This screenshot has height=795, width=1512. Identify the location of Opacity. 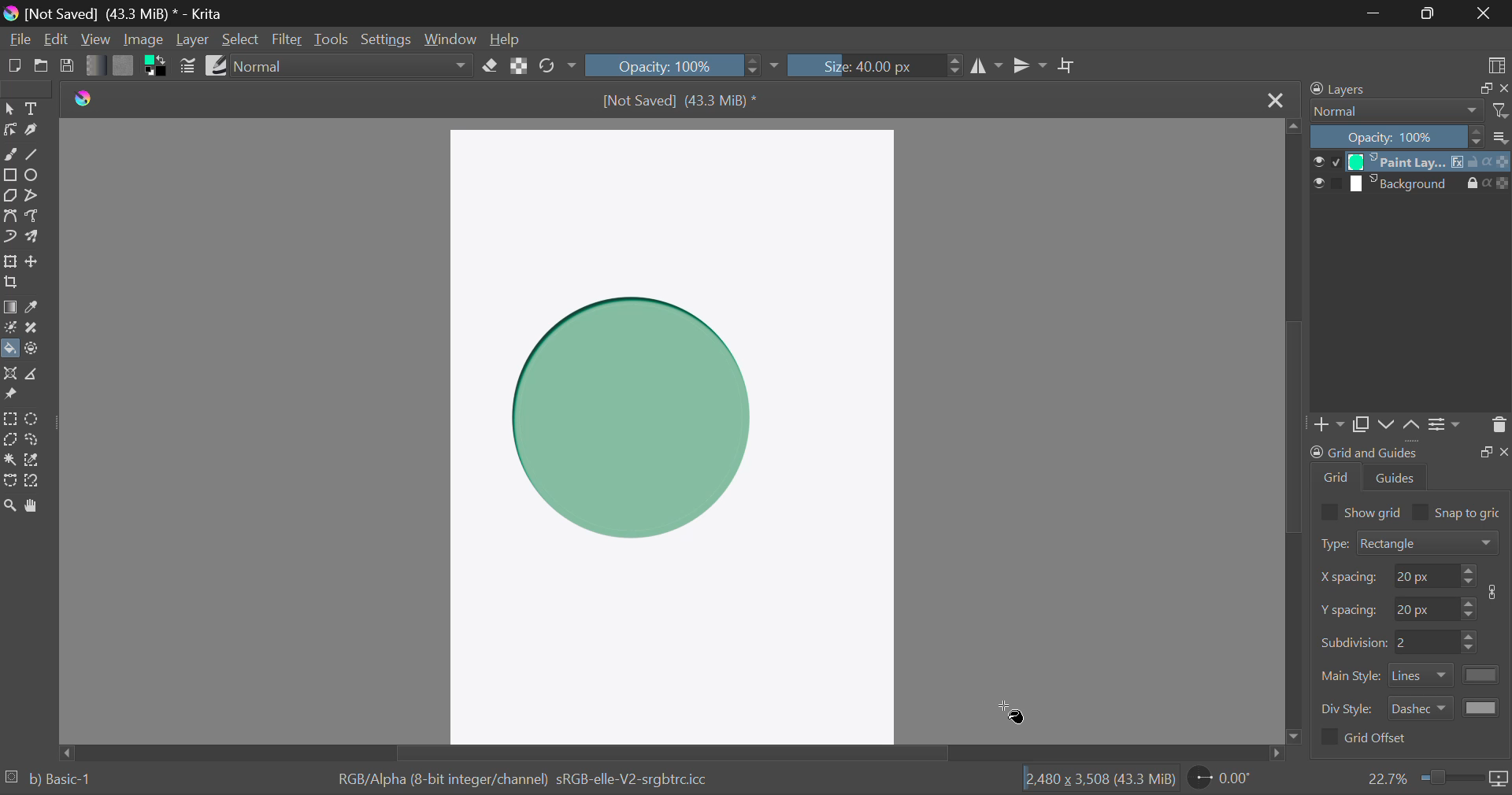
(684, 65).